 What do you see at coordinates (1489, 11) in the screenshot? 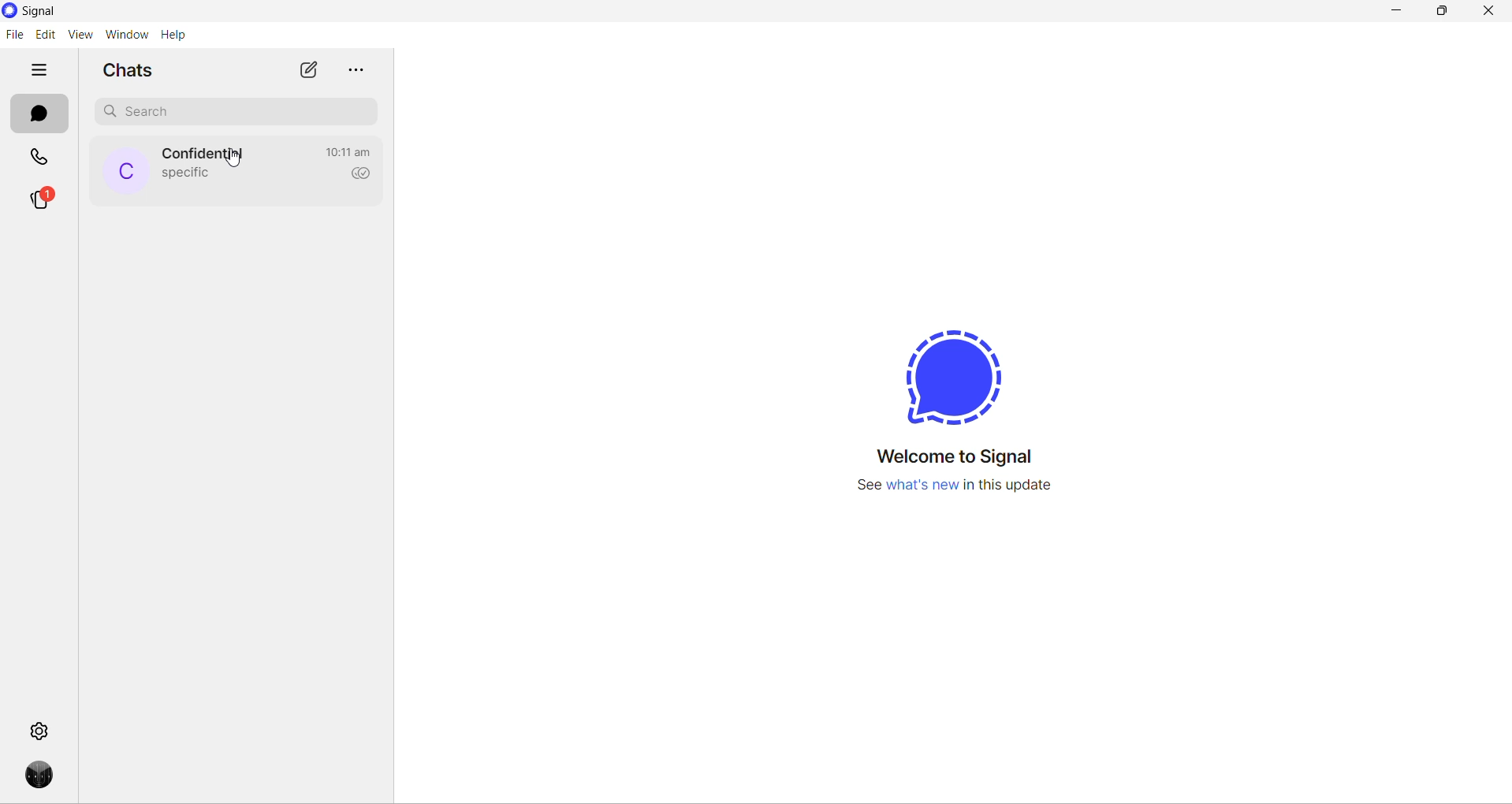
I see `close` at bounding box center [1489, 11].